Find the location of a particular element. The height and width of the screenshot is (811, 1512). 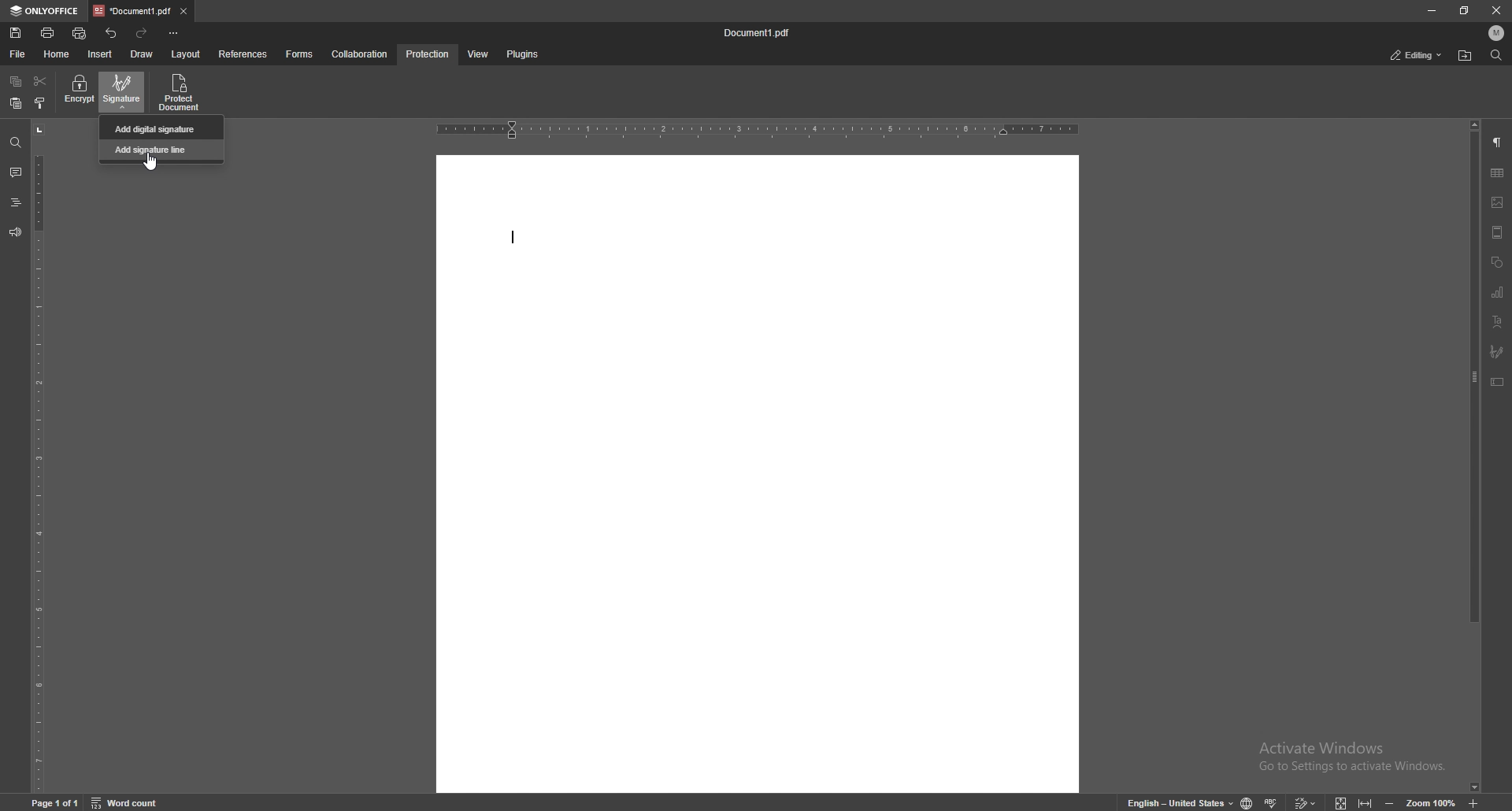

close tab is located at coordinates (184, 10).